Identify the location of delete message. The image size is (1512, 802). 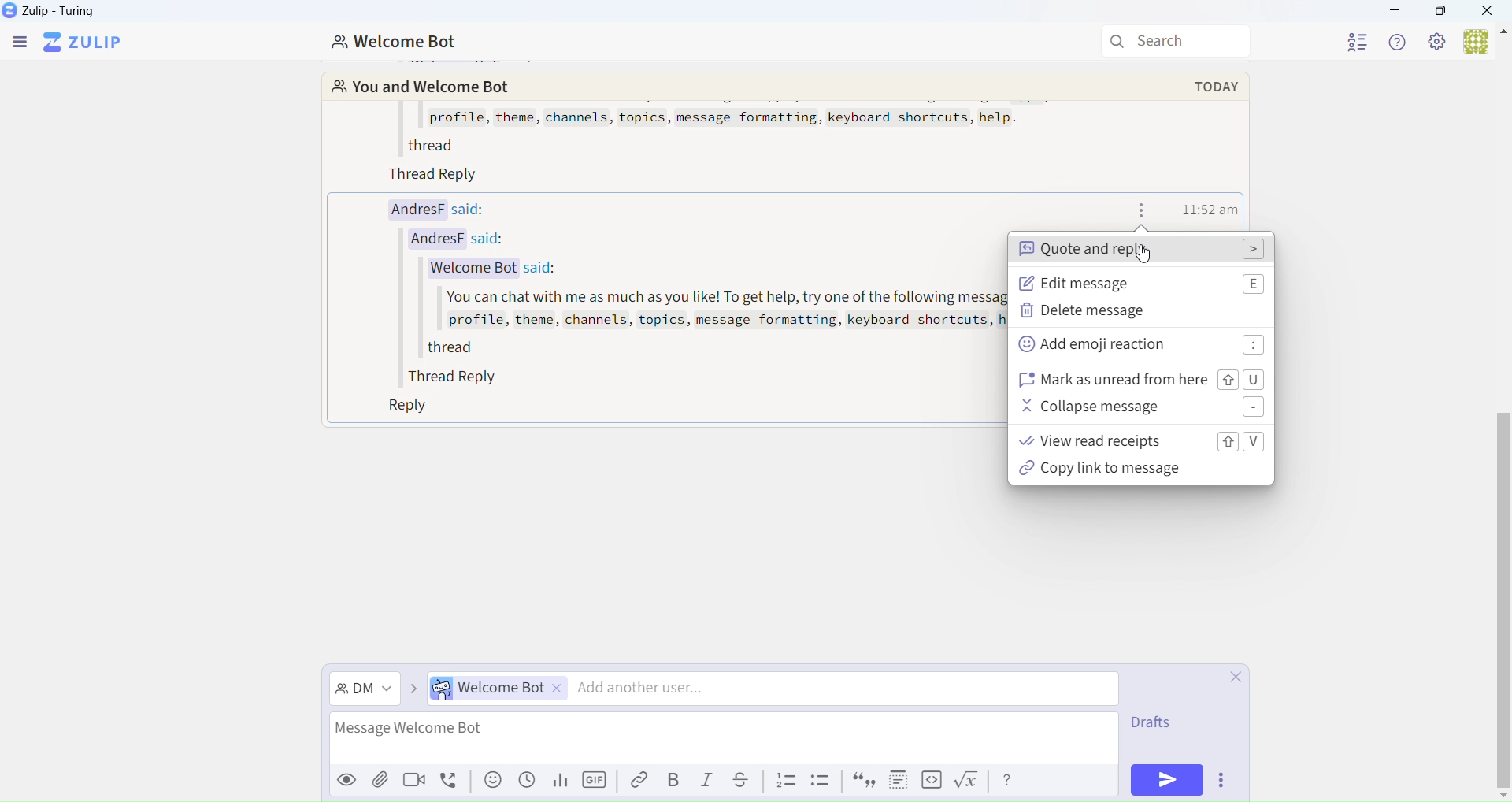
(1142, 313).